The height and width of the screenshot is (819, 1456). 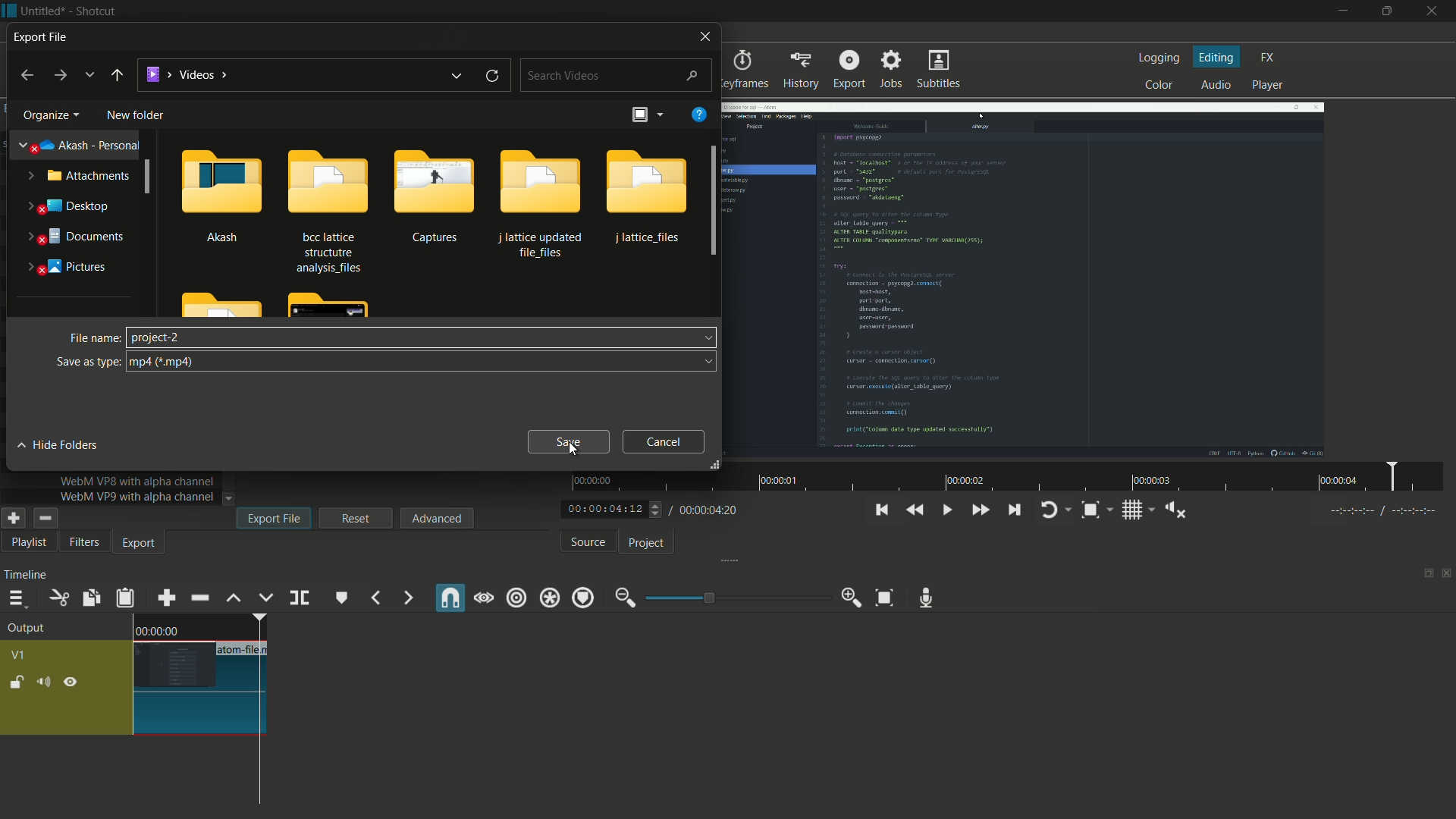 I want to click on file type dropdown, so click(x=420, y=362).